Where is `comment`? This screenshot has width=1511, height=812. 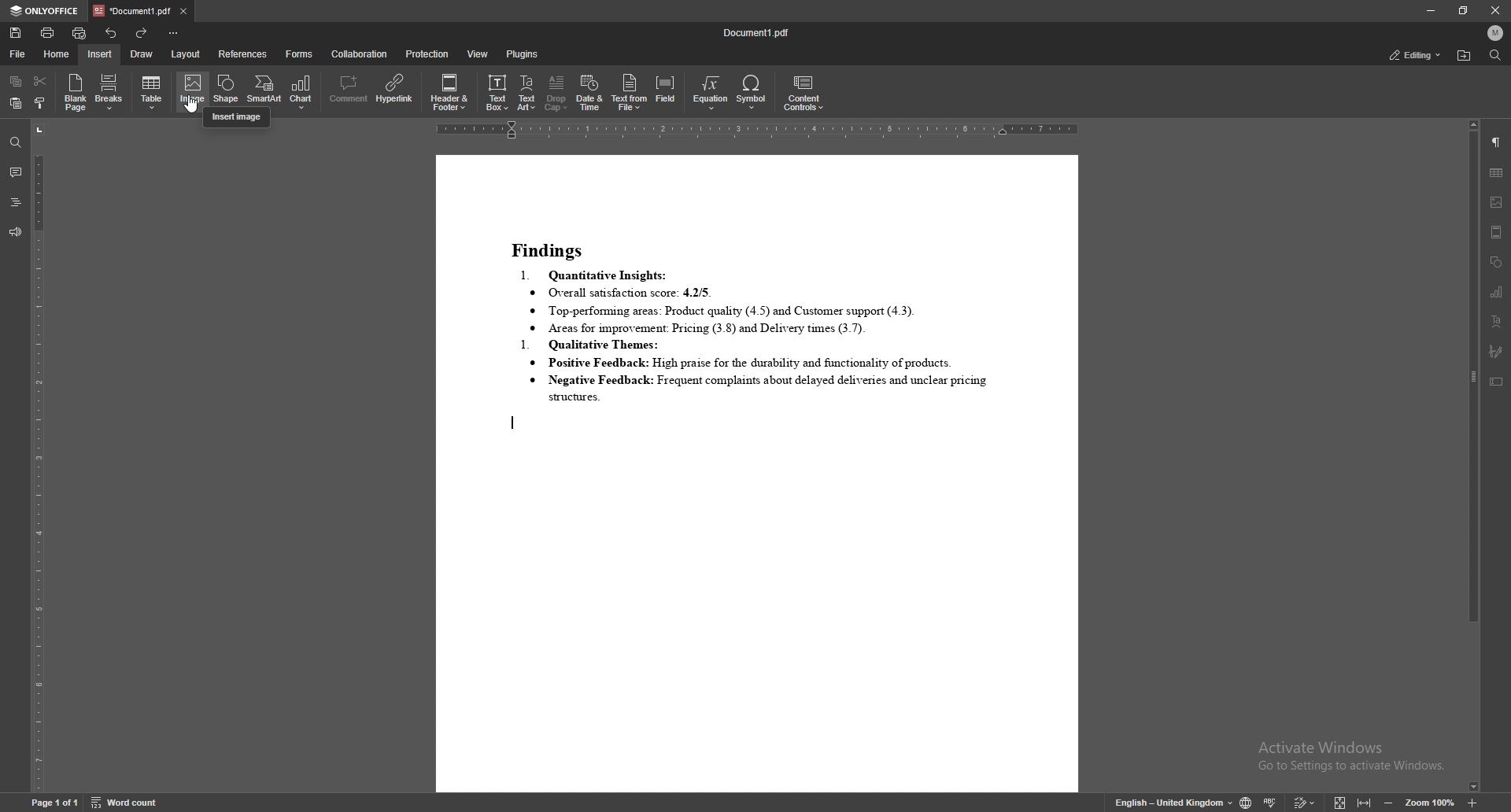
comment is located at coordinates (349, 90).